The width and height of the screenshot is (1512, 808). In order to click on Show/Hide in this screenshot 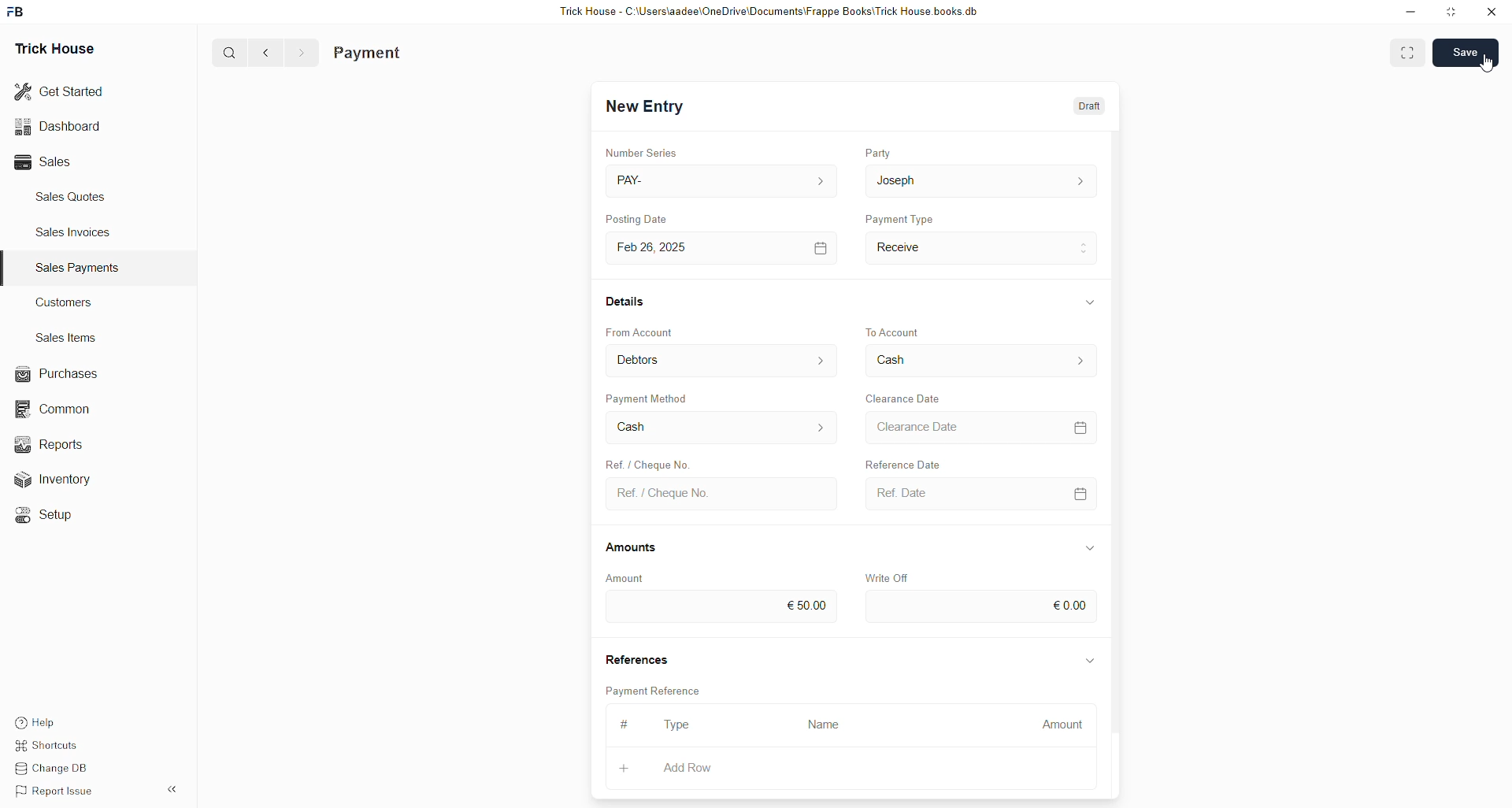, I will do `click(1091, 662)`.